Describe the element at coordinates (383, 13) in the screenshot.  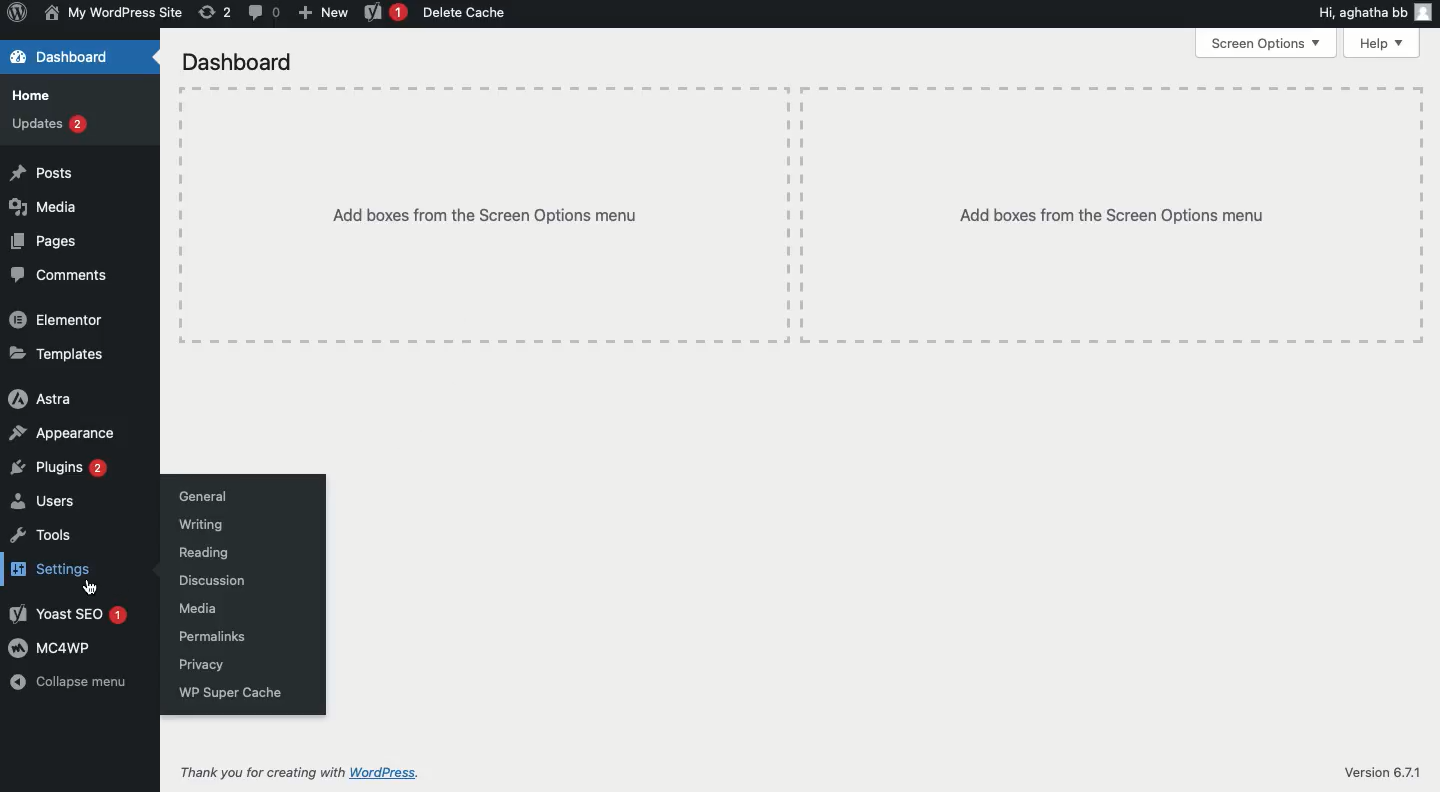
I see `Yoast 1` at that location.